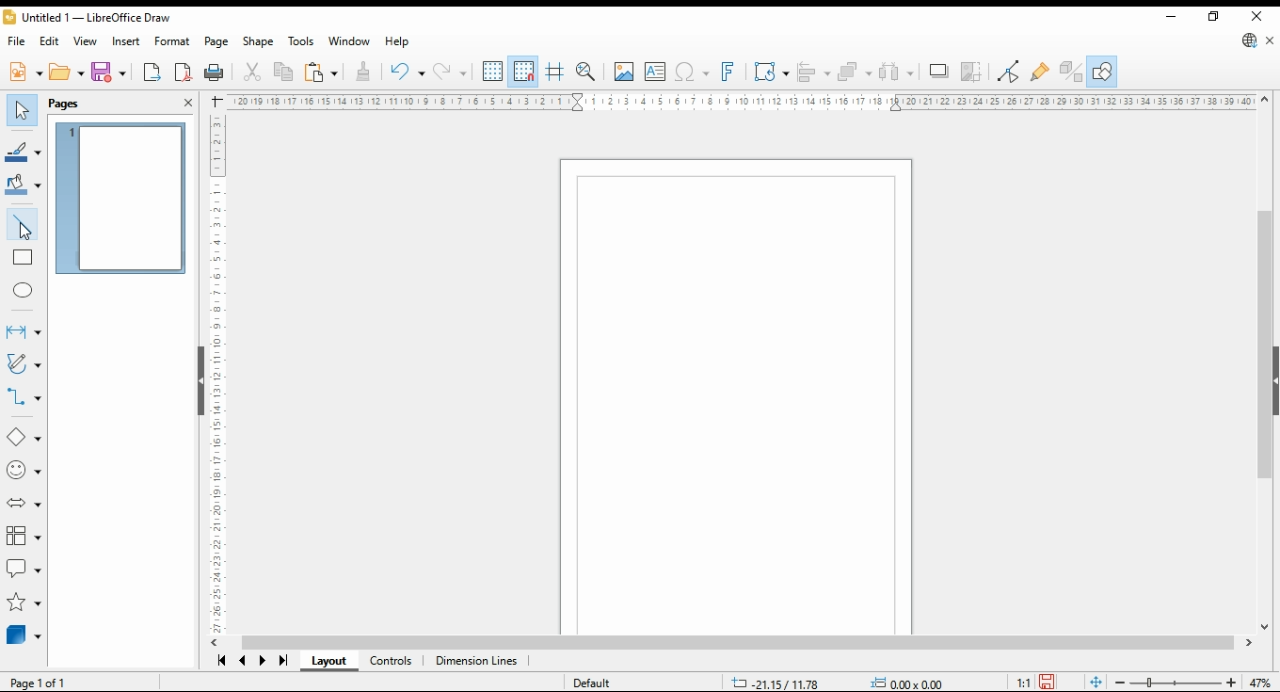 Image resolution: width=1280 pixels, height=692 pixels. I want to click on vertical scale, so click(219, 369).